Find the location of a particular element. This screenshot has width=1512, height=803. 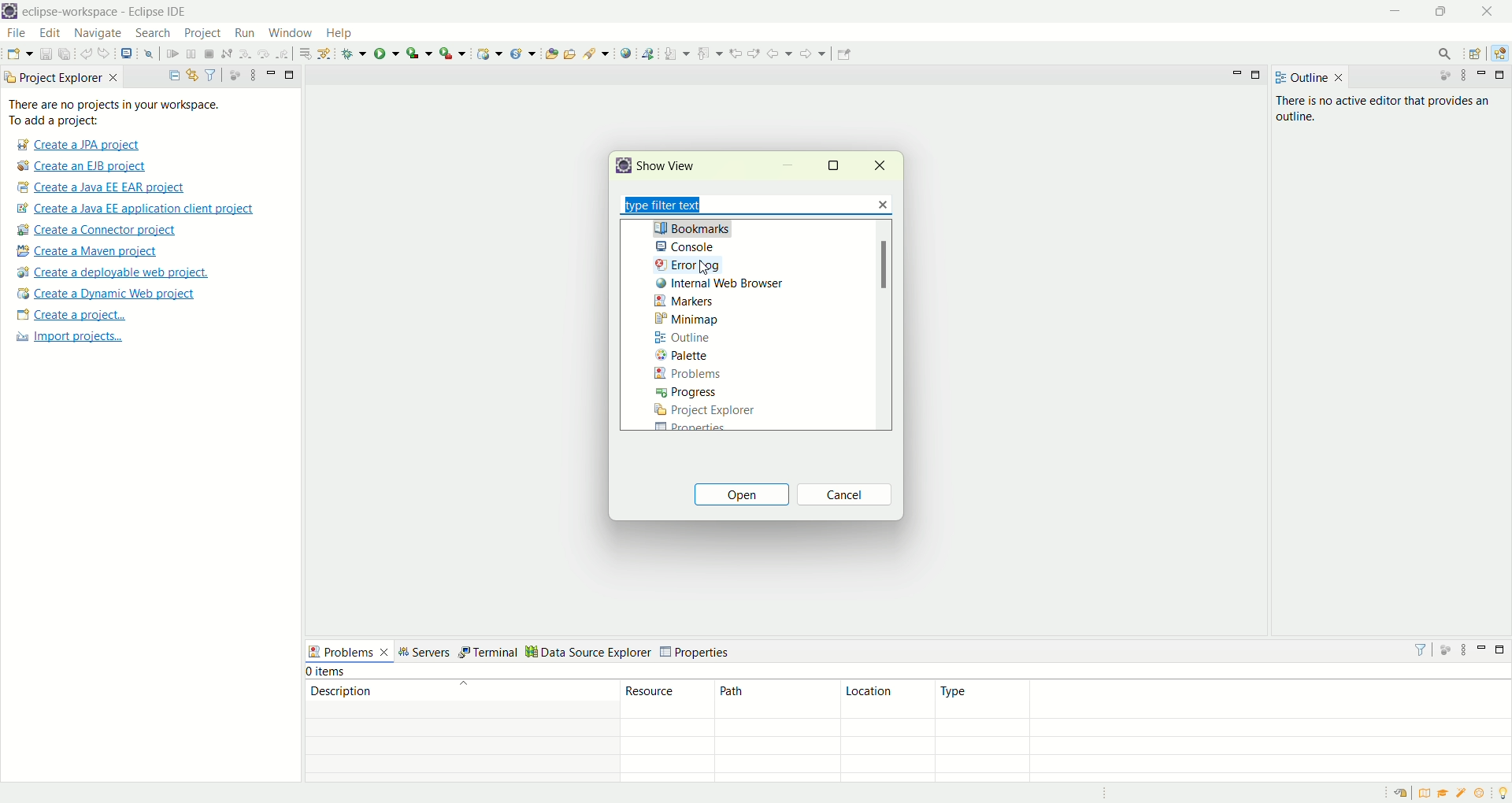

step return is located at coordinates (283, 54).